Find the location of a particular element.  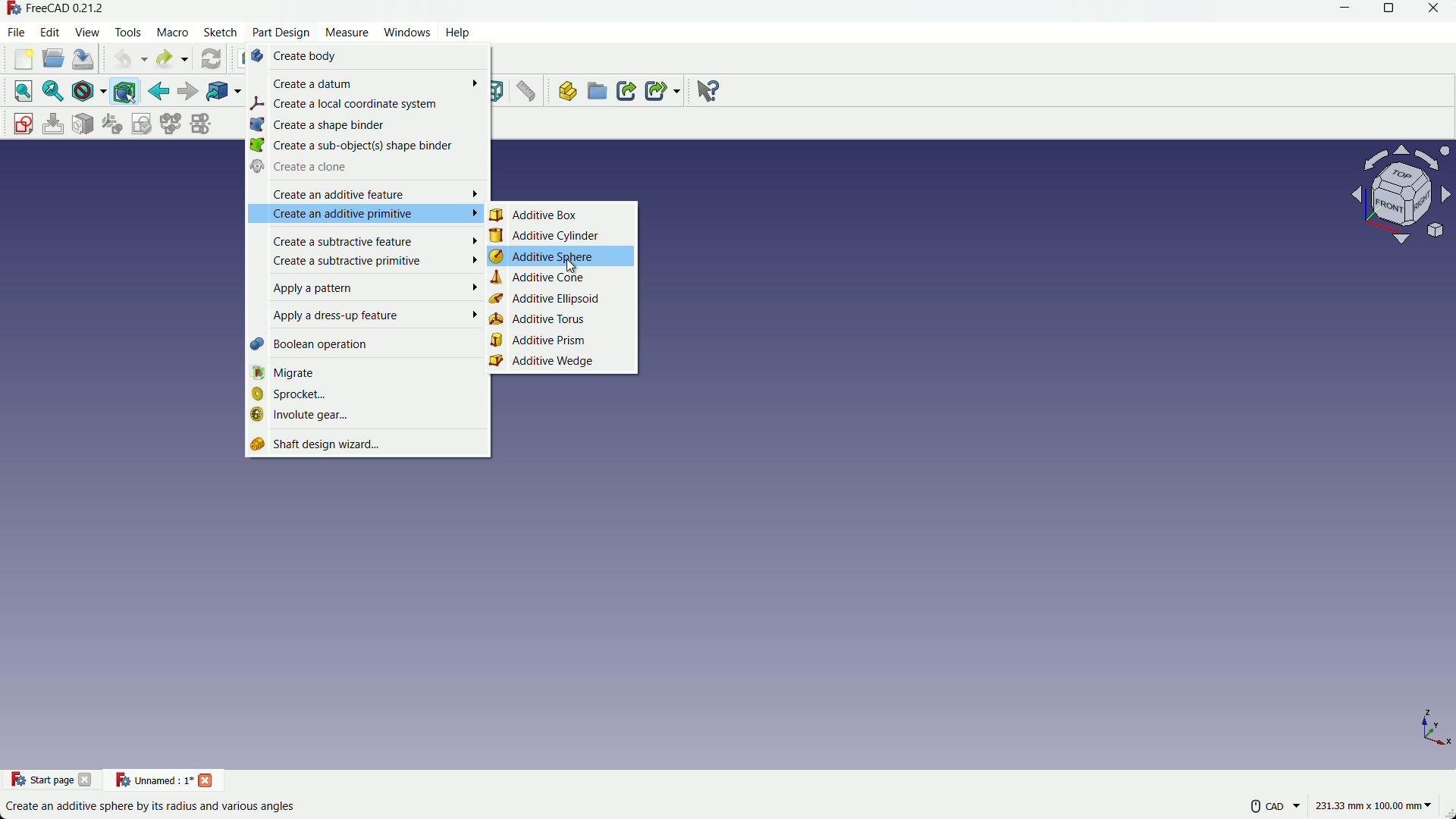

part design menu is located at coordinates (282, 34).